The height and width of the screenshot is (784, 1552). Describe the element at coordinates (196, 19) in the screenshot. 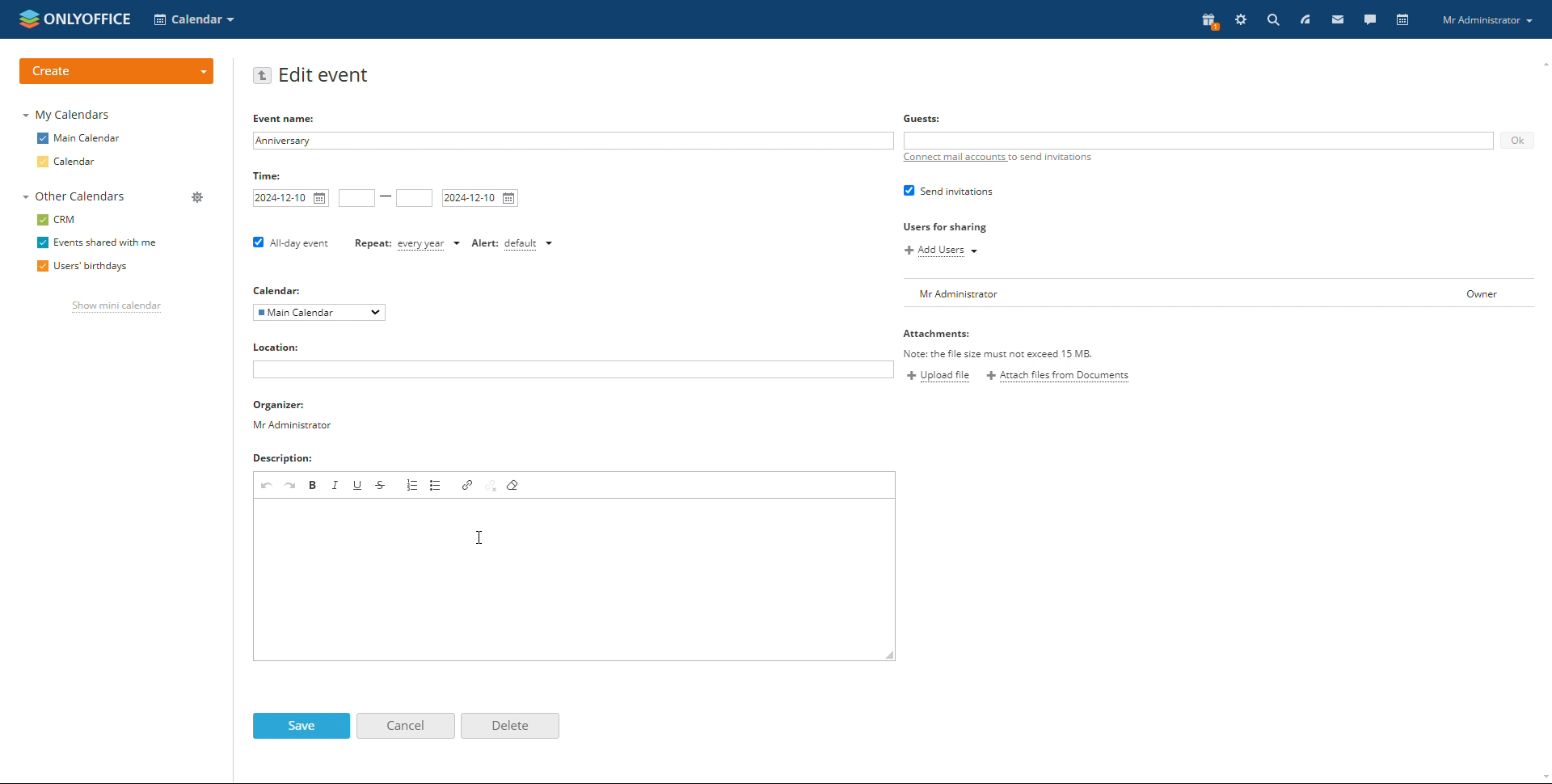

I see `select application` at that location.